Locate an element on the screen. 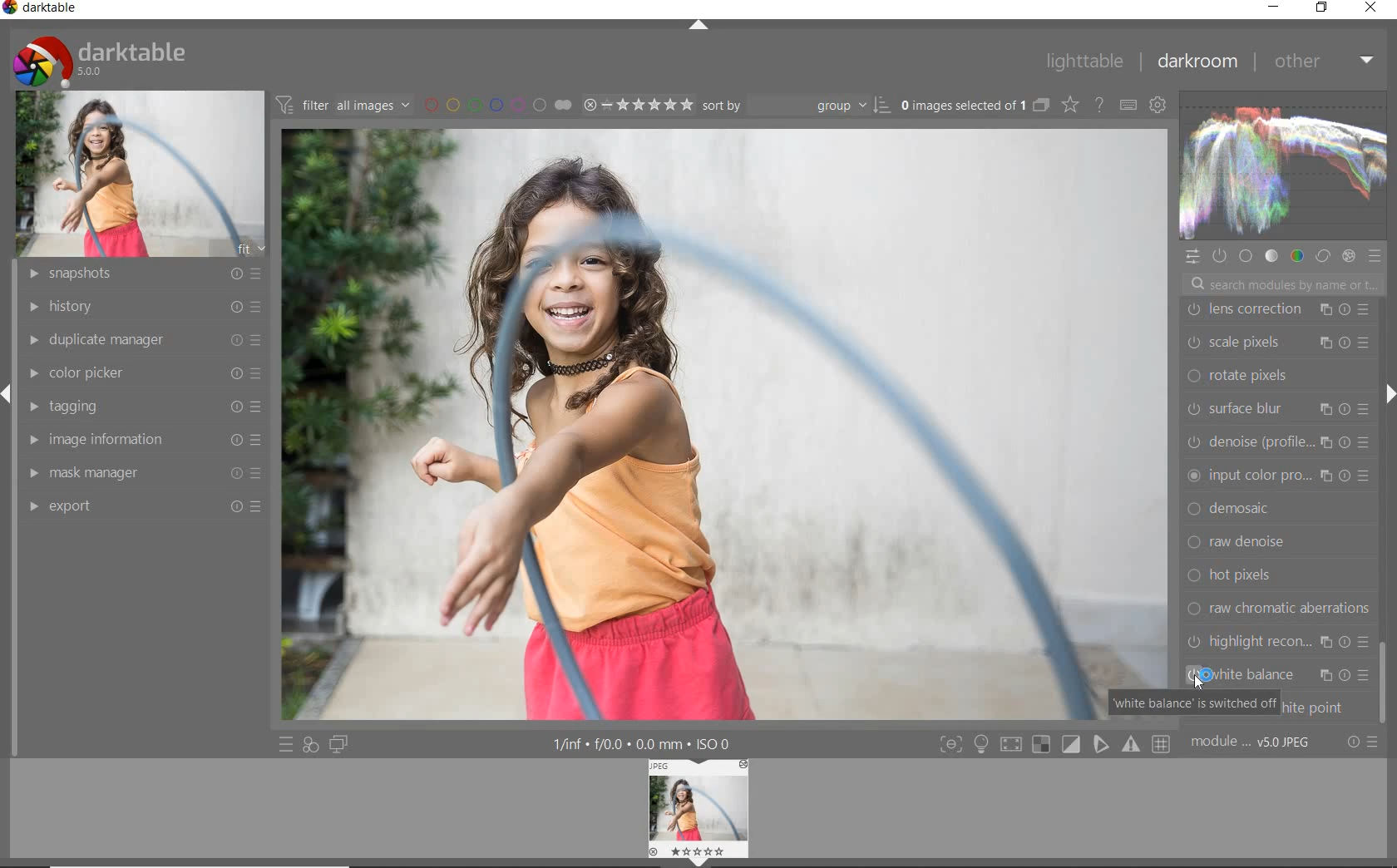 This screenshot has width=1397, height=868. colorize is located at coordinates (1279, 681).